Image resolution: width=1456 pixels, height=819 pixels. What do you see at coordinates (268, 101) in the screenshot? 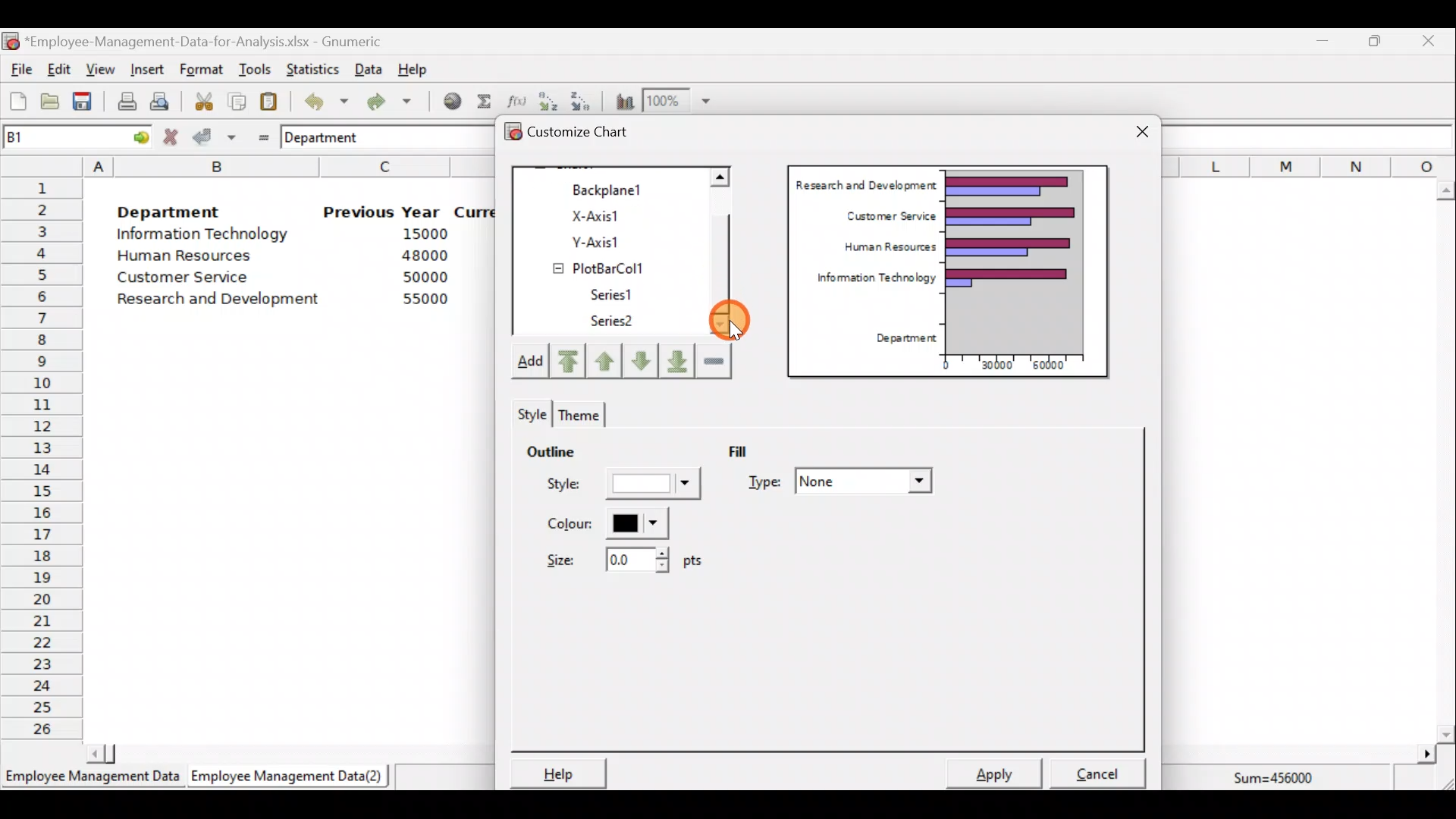
I see `Paste the clipboard` at bounding box center [268, 101].